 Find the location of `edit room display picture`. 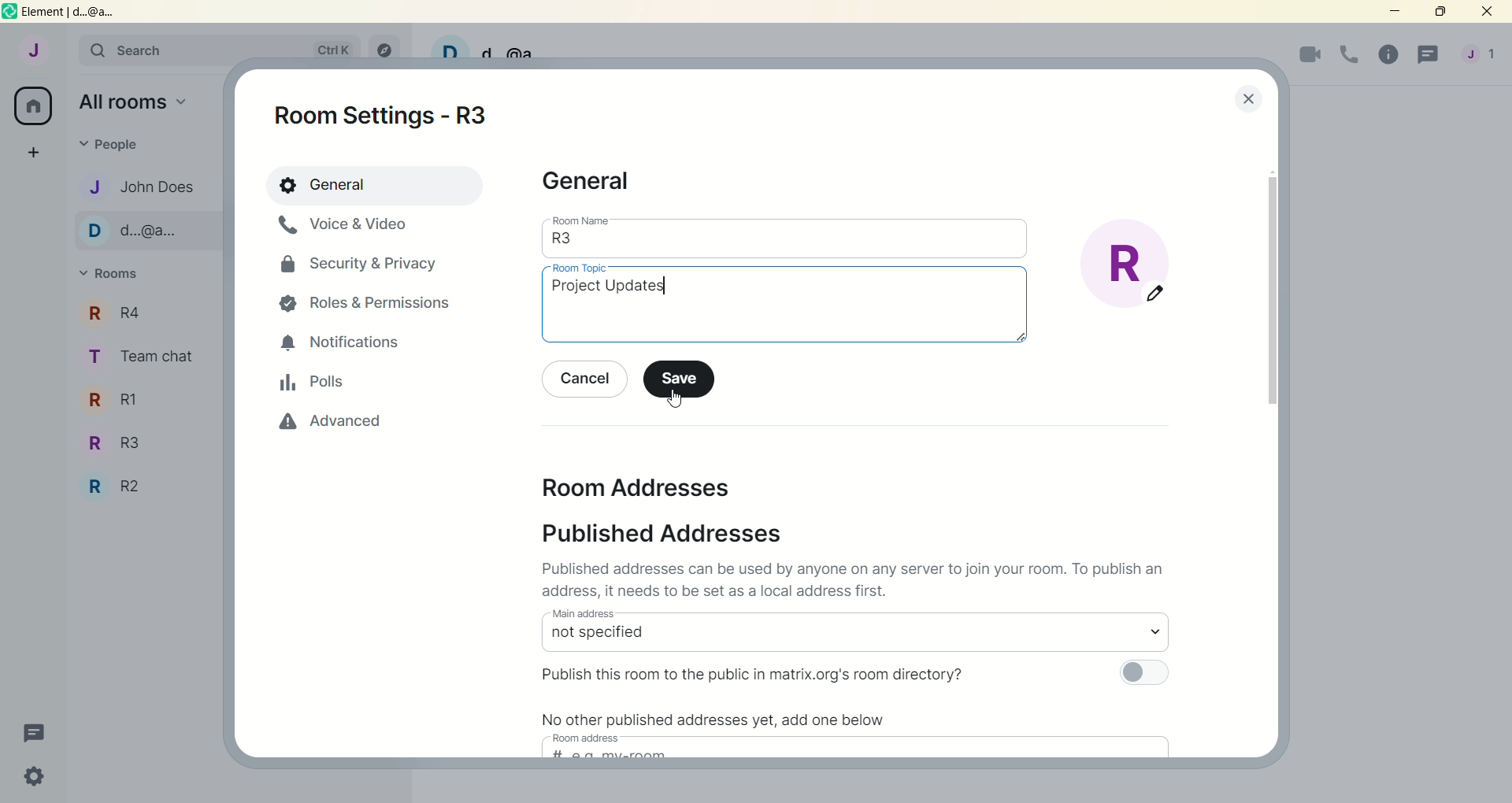

edit room display picture is located at coordinates (1125, 265).